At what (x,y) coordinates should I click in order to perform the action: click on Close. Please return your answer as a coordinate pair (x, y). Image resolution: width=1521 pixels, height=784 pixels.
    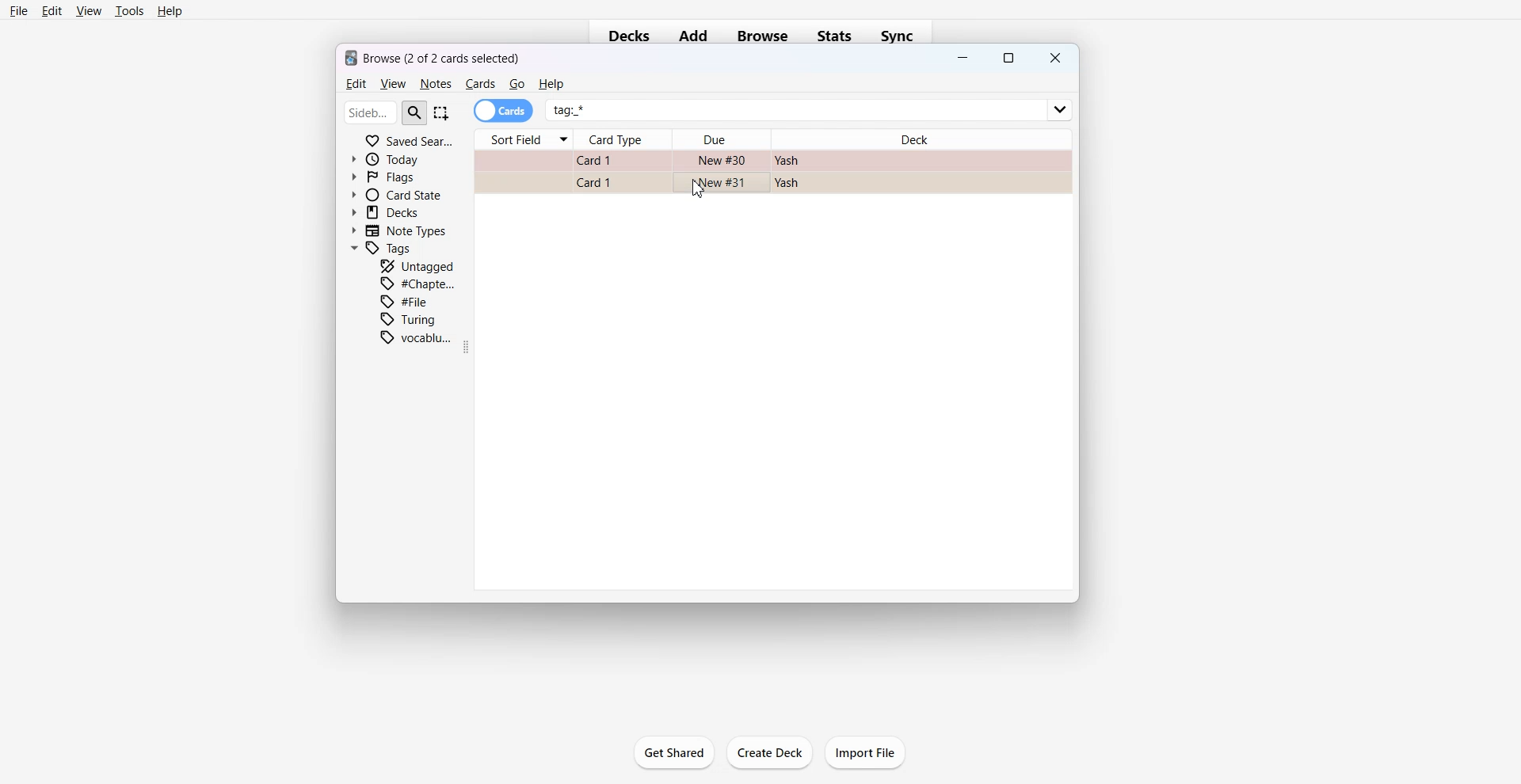
    Looking at the image, I should click on (1054, 58).